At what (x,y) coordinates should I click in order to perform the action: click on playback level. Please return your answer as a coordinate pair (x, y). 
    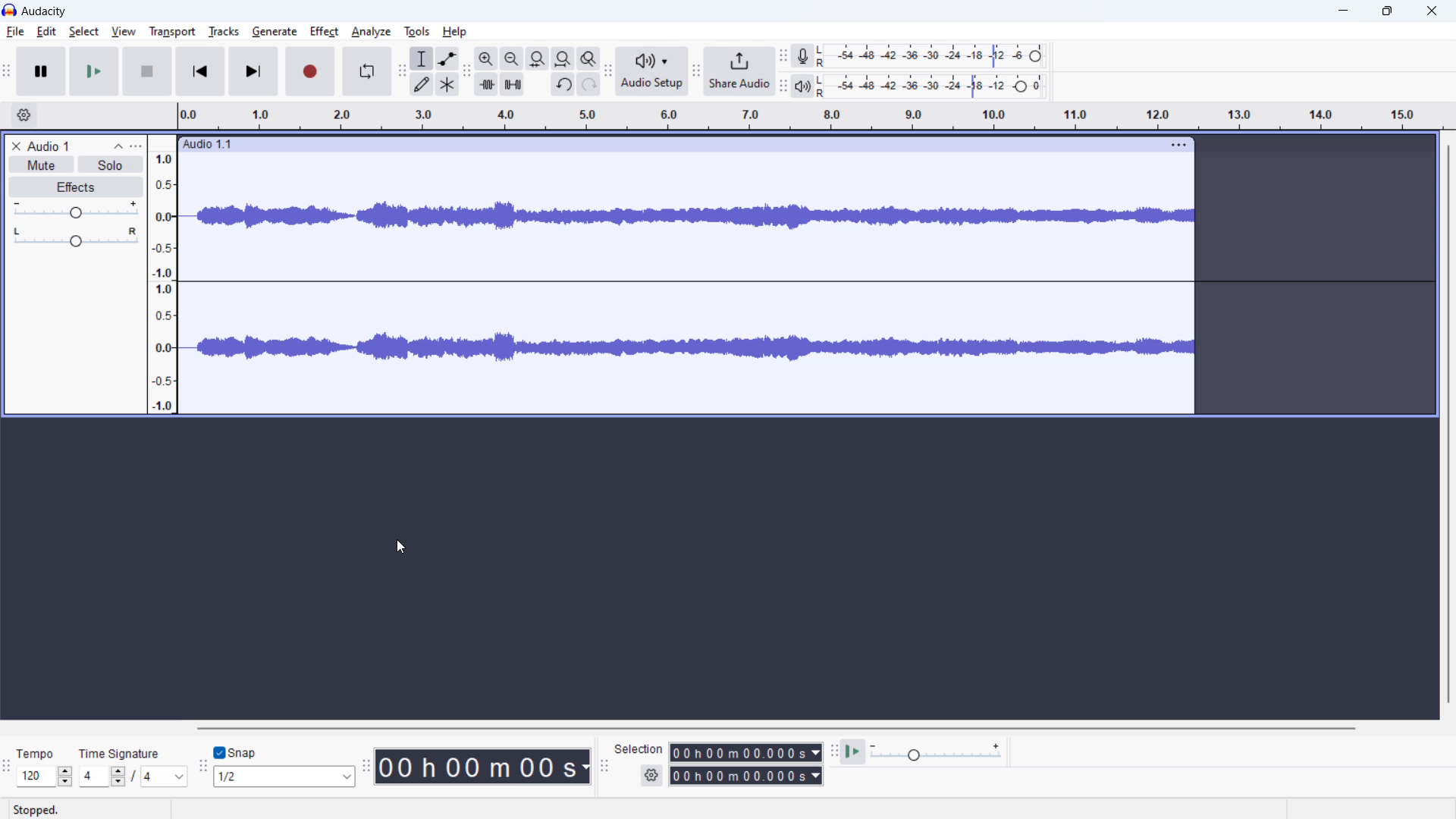
    Looking at the image, I should click on (931, 86).